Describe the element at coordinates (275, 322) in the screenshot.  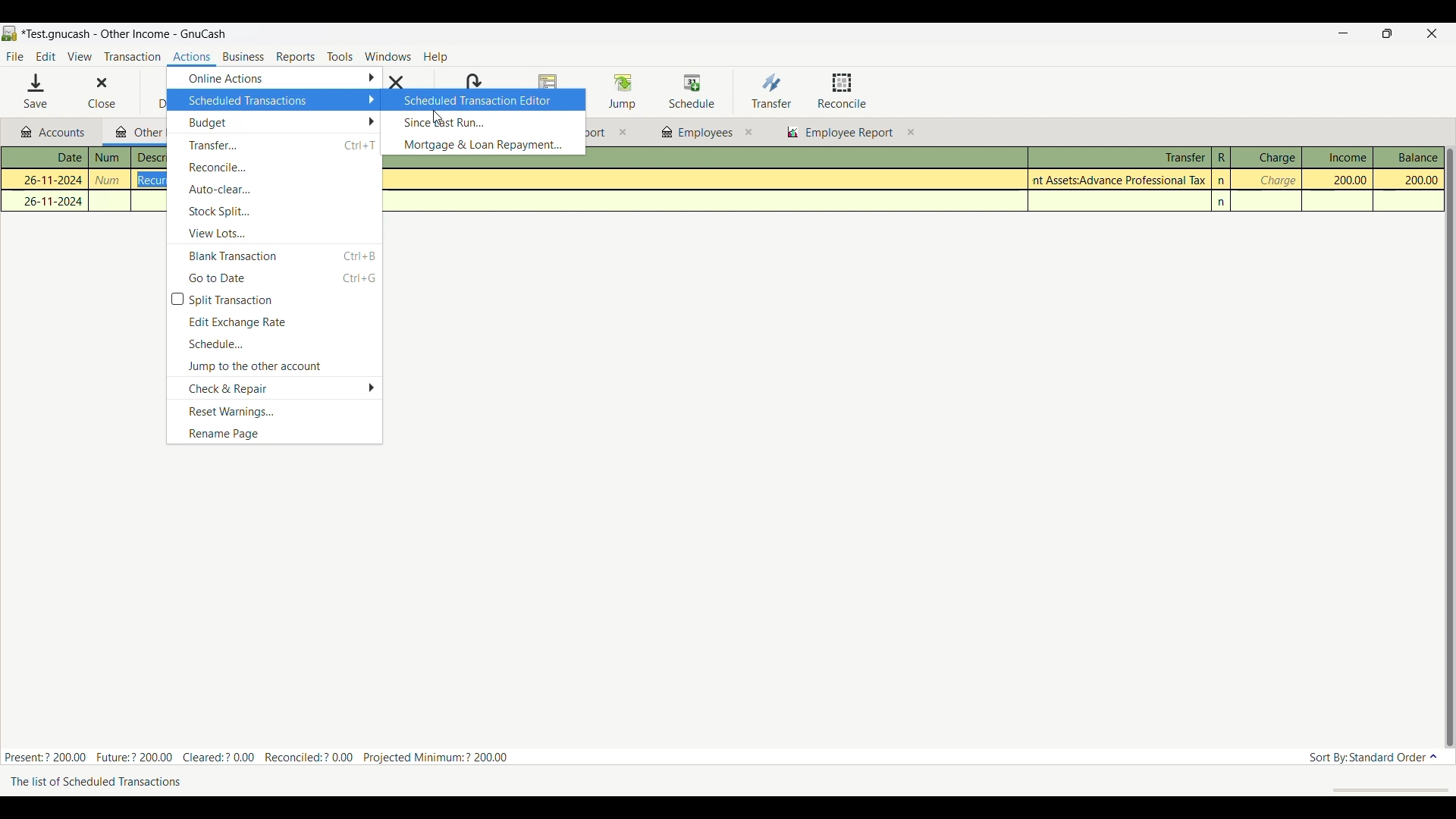
I see `Edit exchange rate` at that location.